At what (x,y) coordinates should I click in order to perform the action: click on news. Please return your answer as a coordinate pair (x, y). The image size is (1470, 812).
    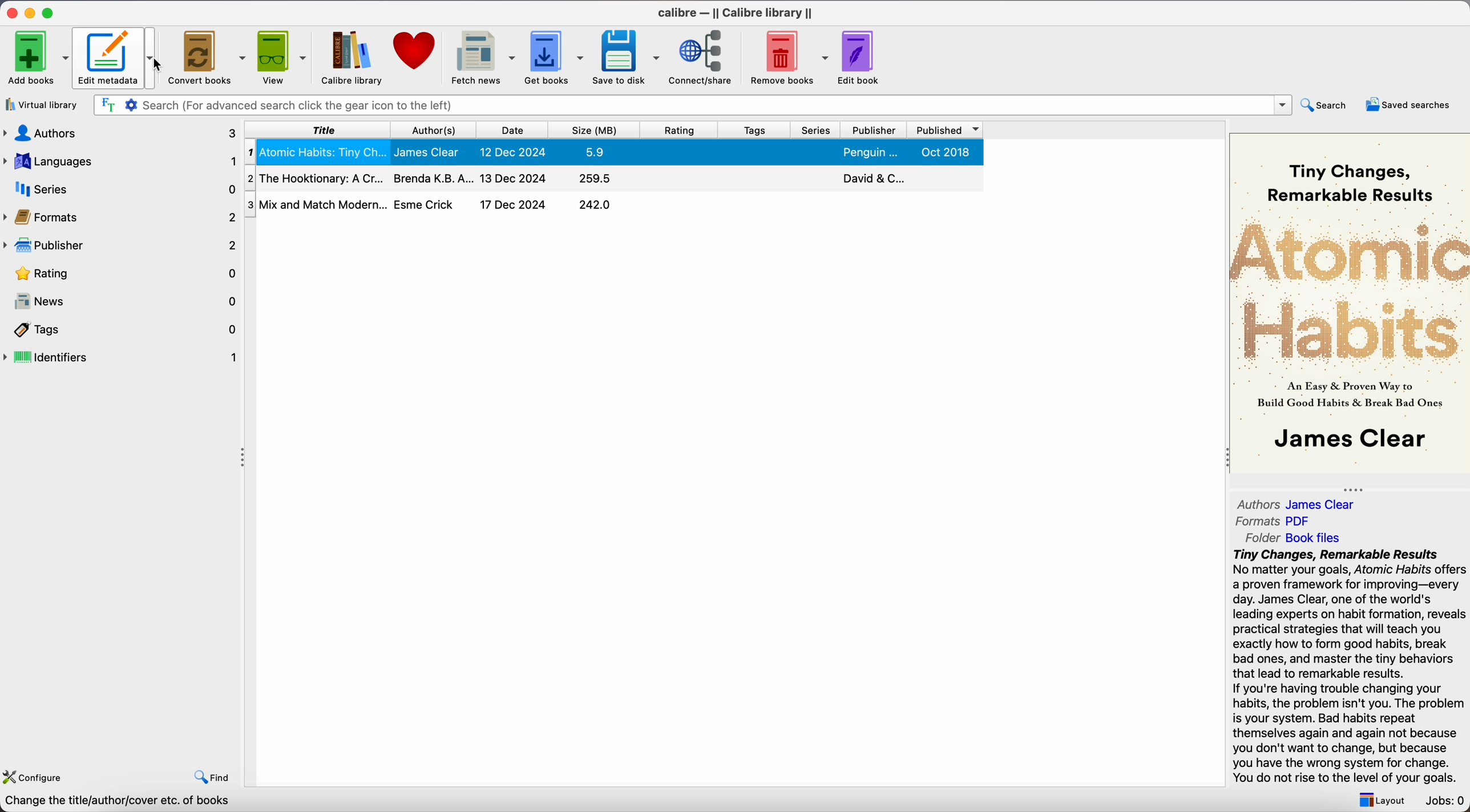
    Looking at the image, I should click on (124, 300).